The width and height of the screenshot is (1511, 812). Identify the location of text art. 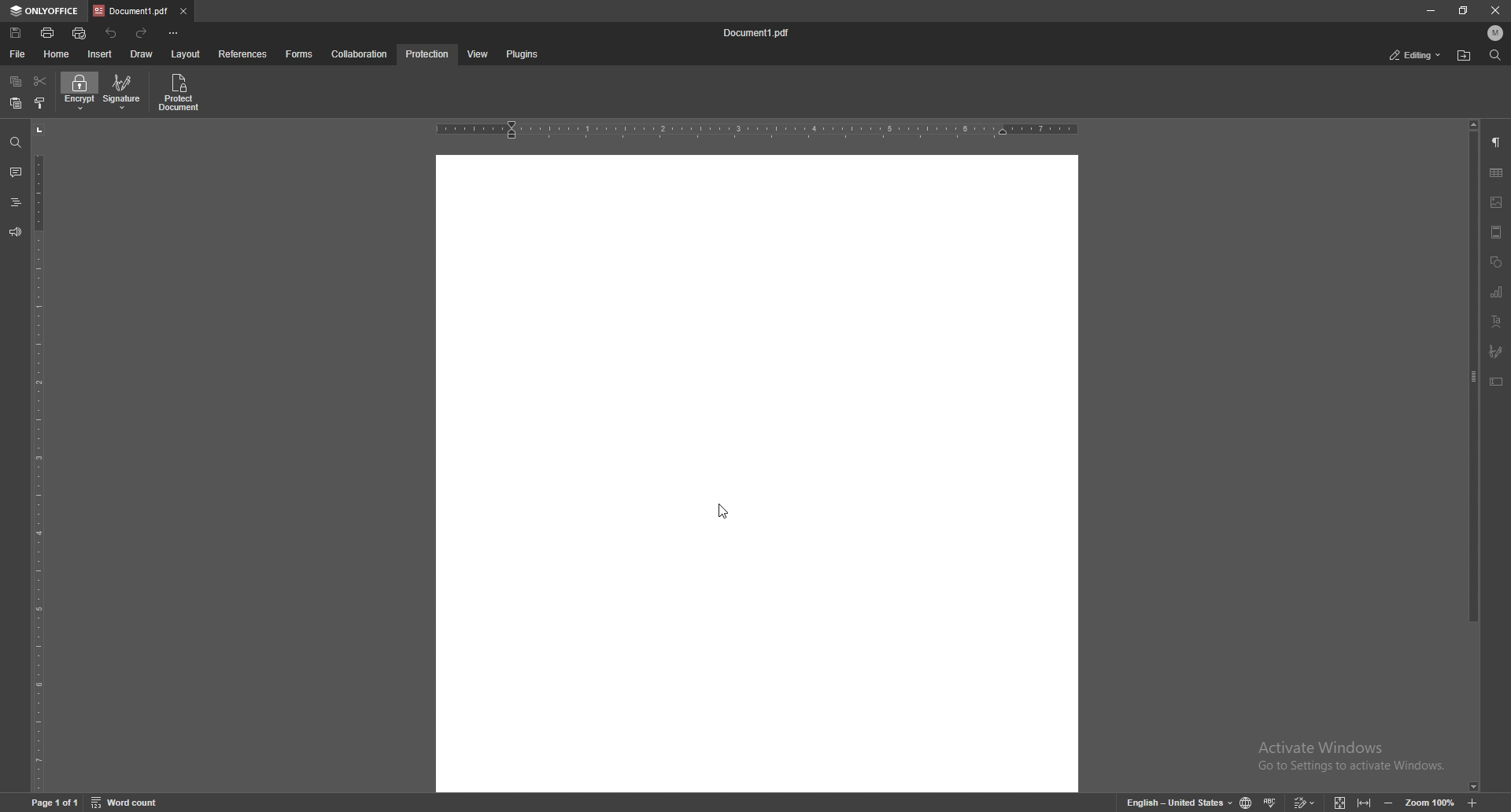
(1498, 321).